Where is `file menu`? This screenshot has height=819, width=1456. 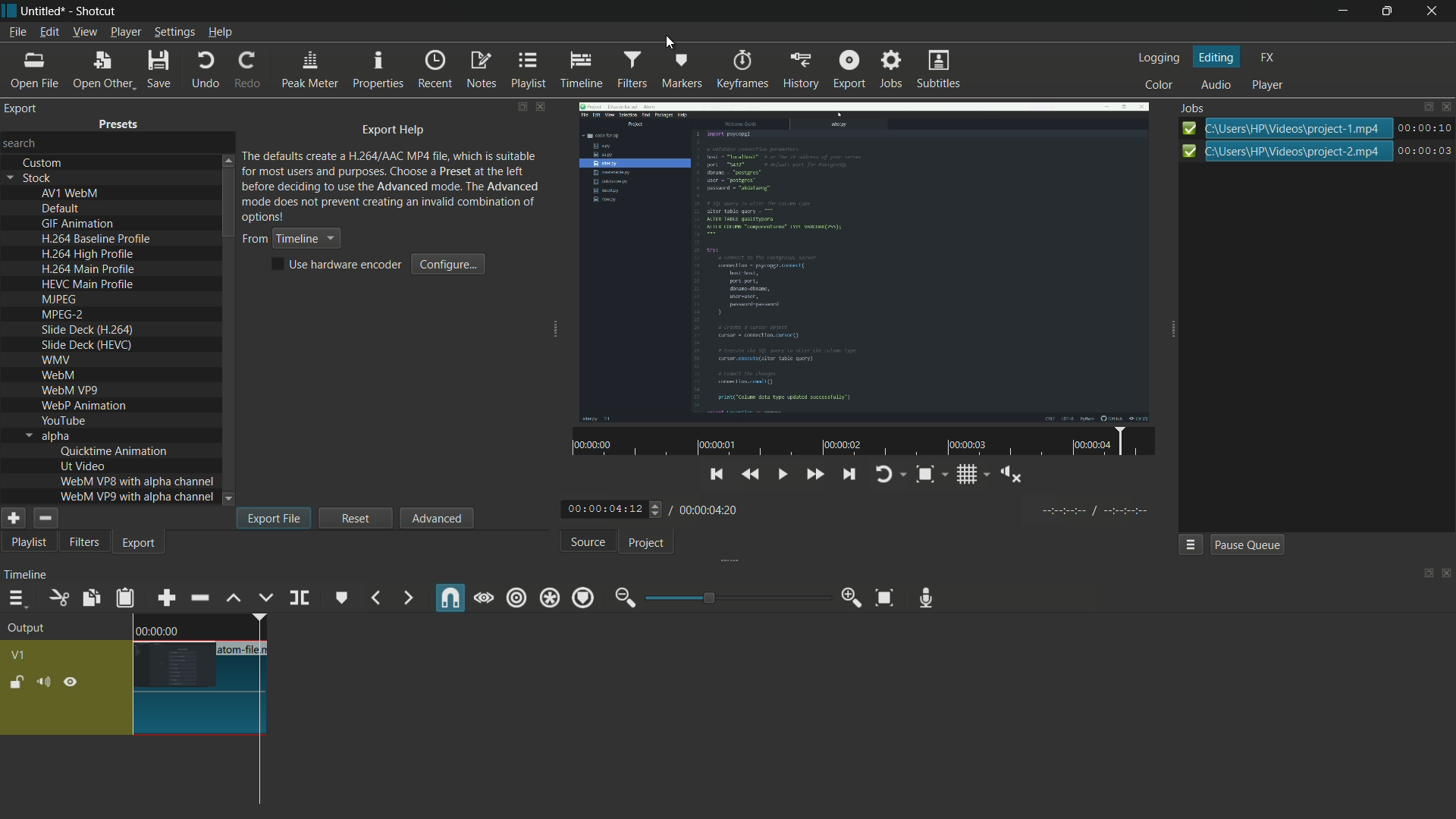 file menu is located at coordinates (17, 32).